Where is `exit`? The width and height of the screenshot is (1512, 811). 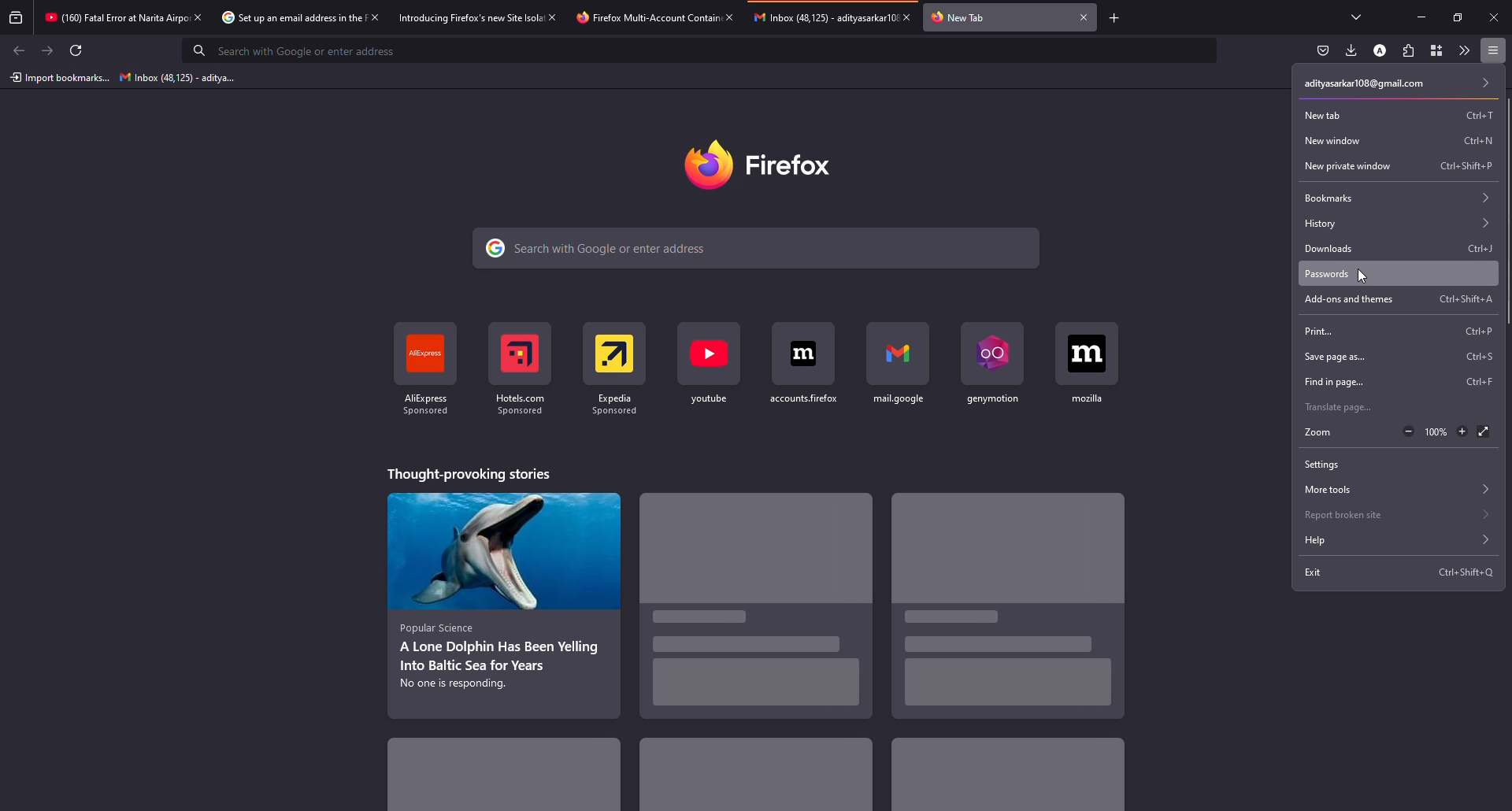
exit is located at coordinates (1314, 575).